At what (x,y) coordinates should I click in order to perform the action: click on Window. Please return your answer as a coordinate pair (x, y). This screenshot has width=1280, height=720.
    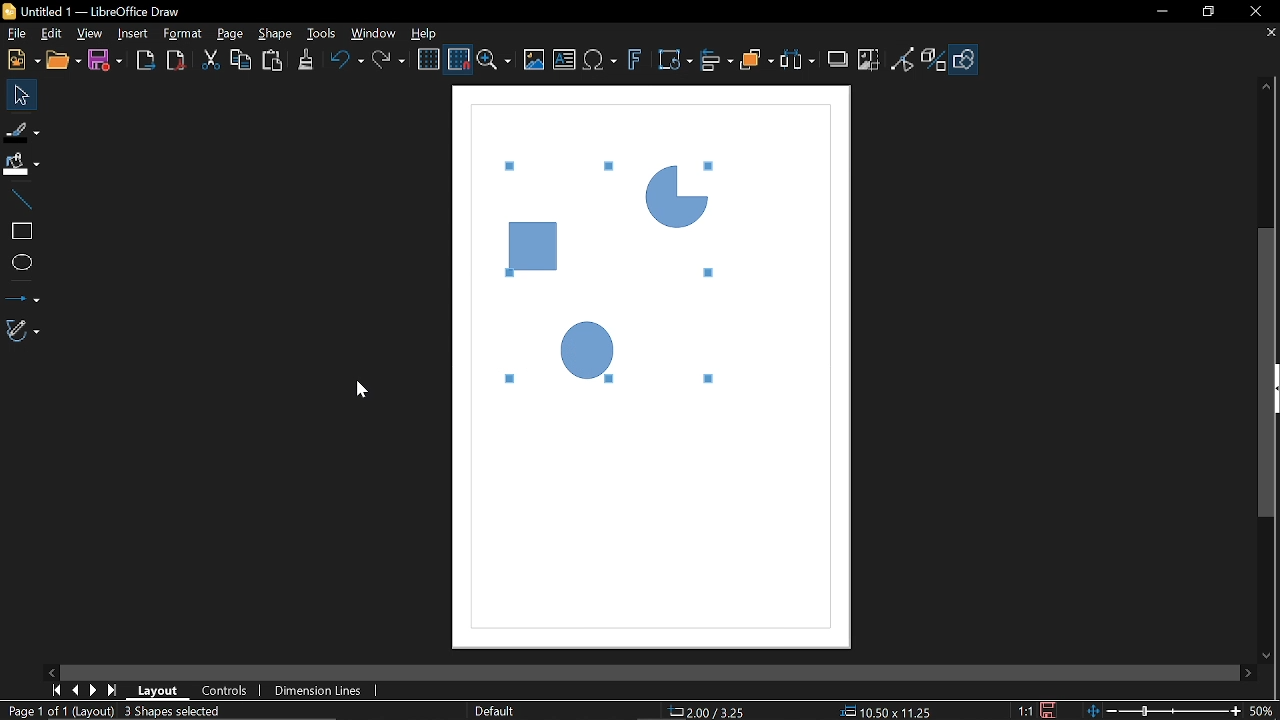
    Looking at the image, I should click on (373, 35).